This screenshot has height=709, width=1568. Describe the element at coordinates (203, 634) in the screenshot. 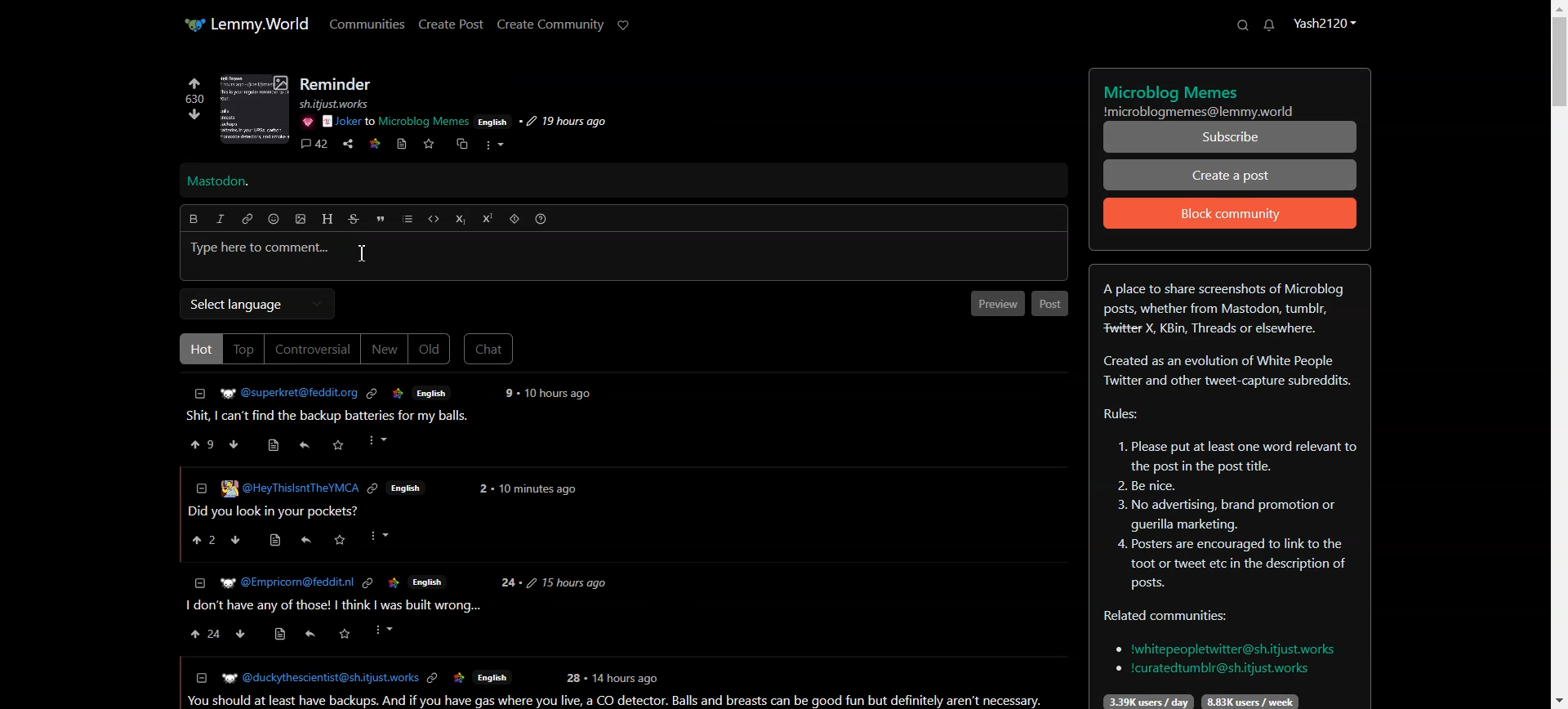

I see `a» 24` at that location.